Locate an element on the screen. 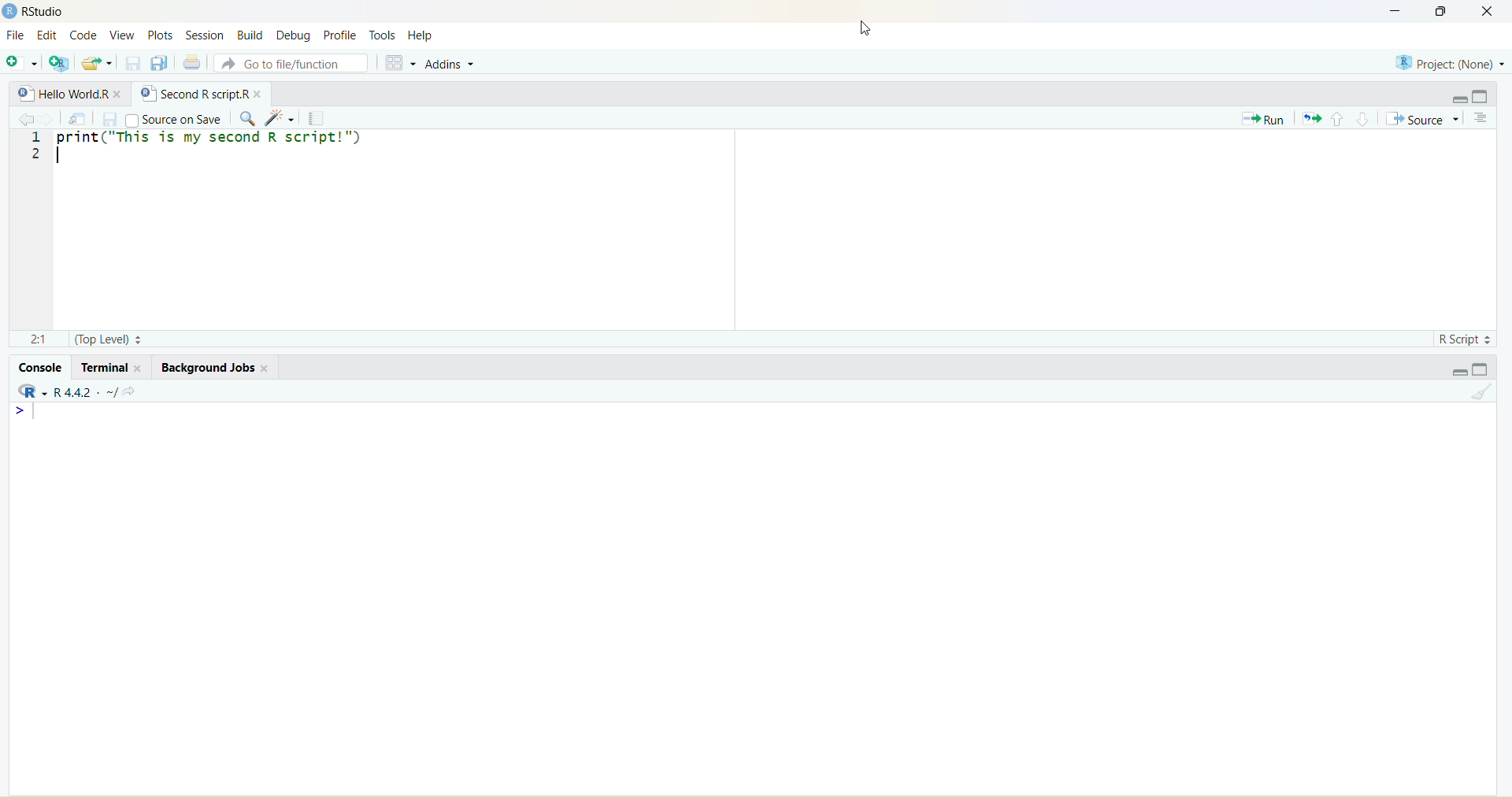  Plots is located at coordinates (159, 35).